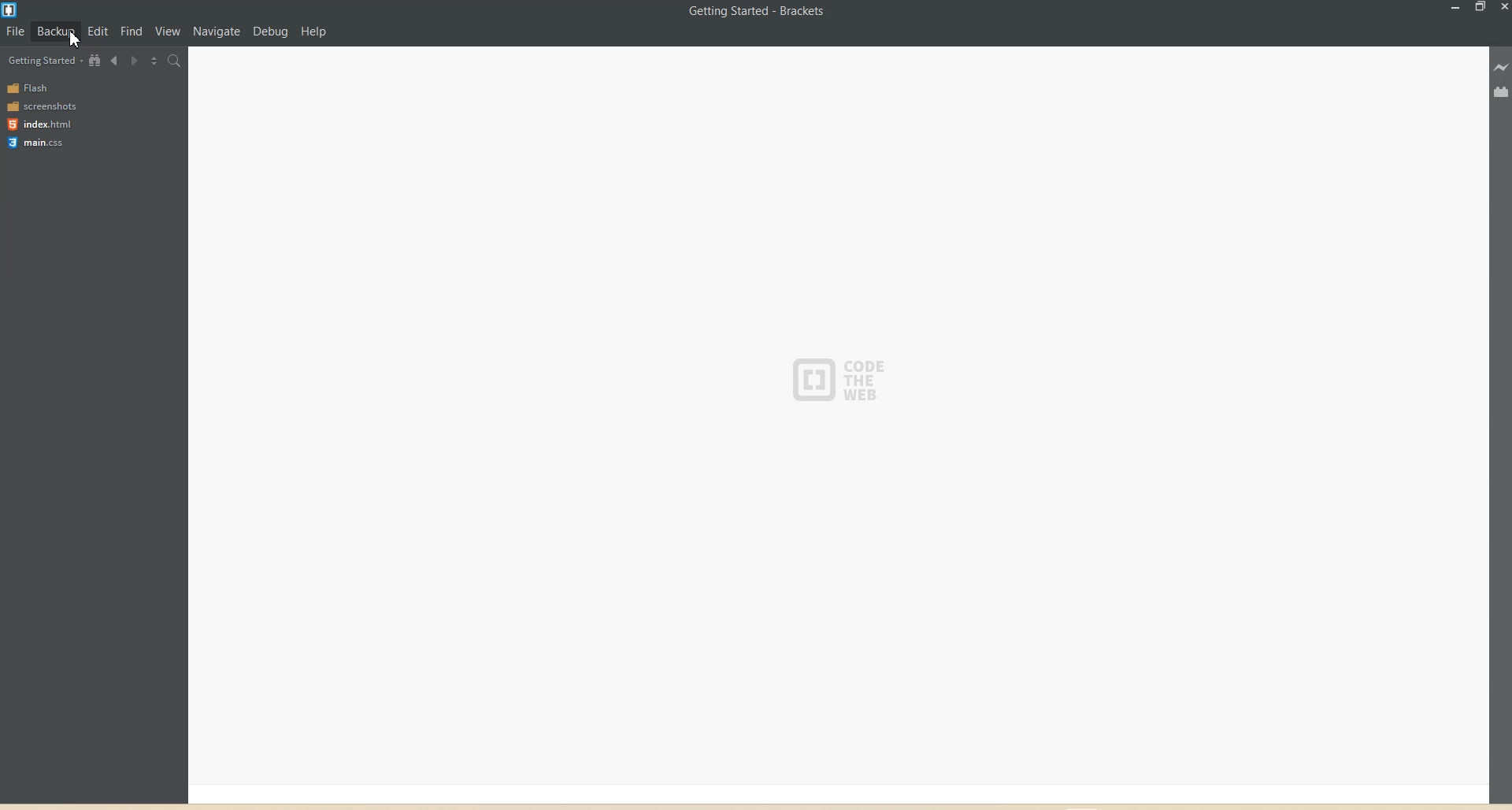 This screenshot has height=810, width=1512. What do you see at coordinates (1502, 91) in the screenshot?
I see `Extension manager` at bounding box center [1502, 91].